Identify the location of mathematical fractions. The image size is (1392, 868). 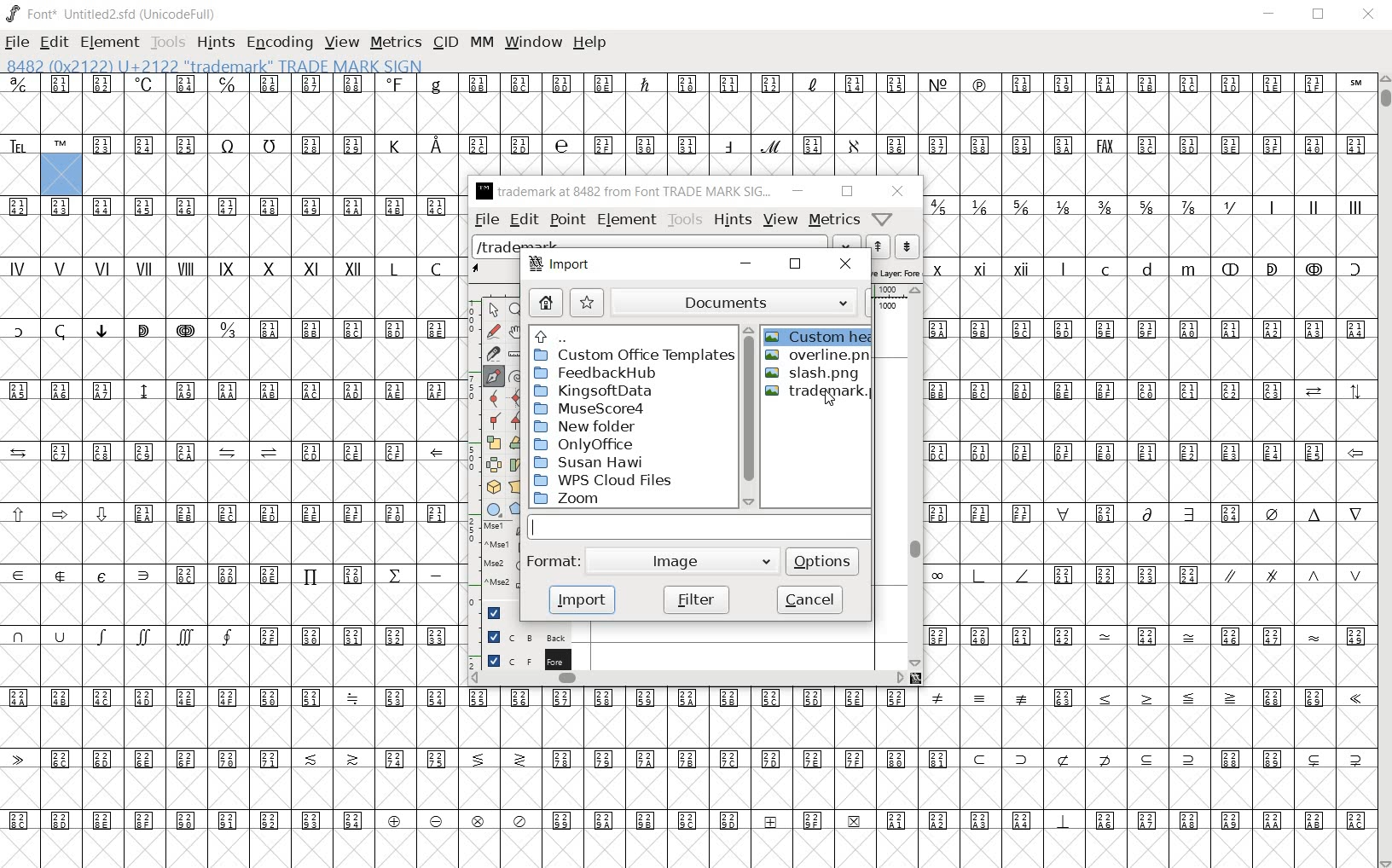
(1085, 223).